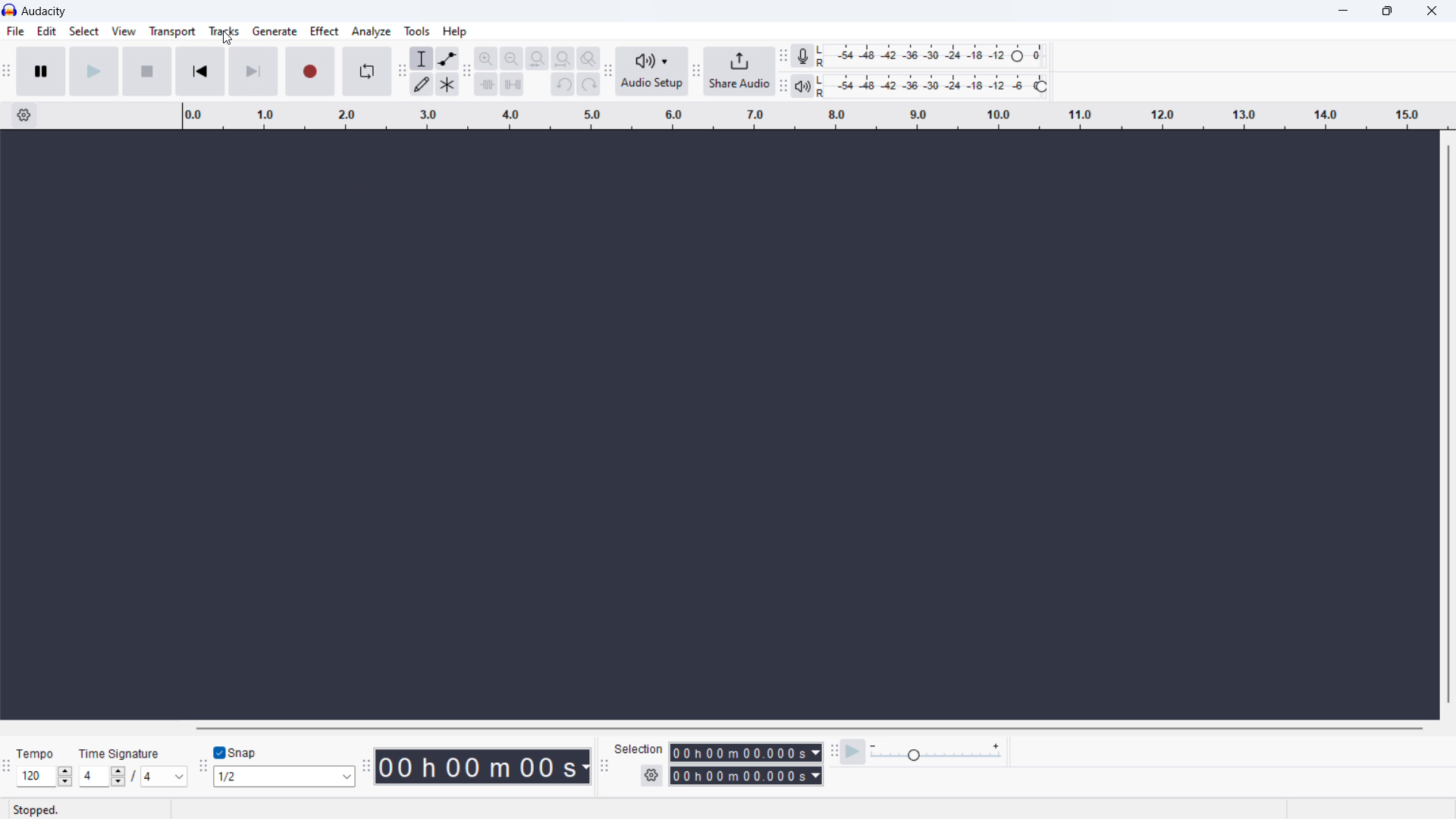 Image resolution: width=1456 pixels, height=819 pixels. I want to click on selection end time, so click(746, 776).